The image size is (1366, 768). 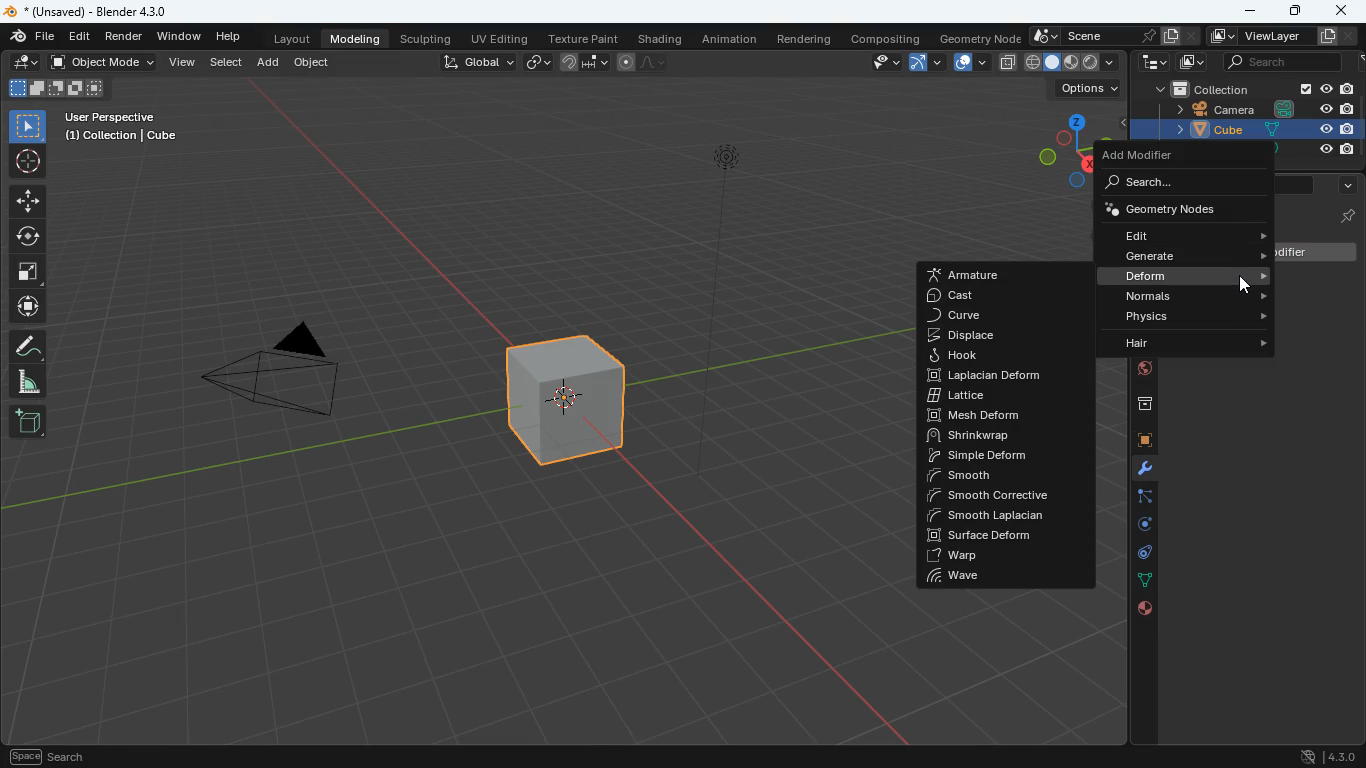 What do you see at coordinates (1192, 257) in the screenshot?
I see `generate` at bounding box center [1192, 257].